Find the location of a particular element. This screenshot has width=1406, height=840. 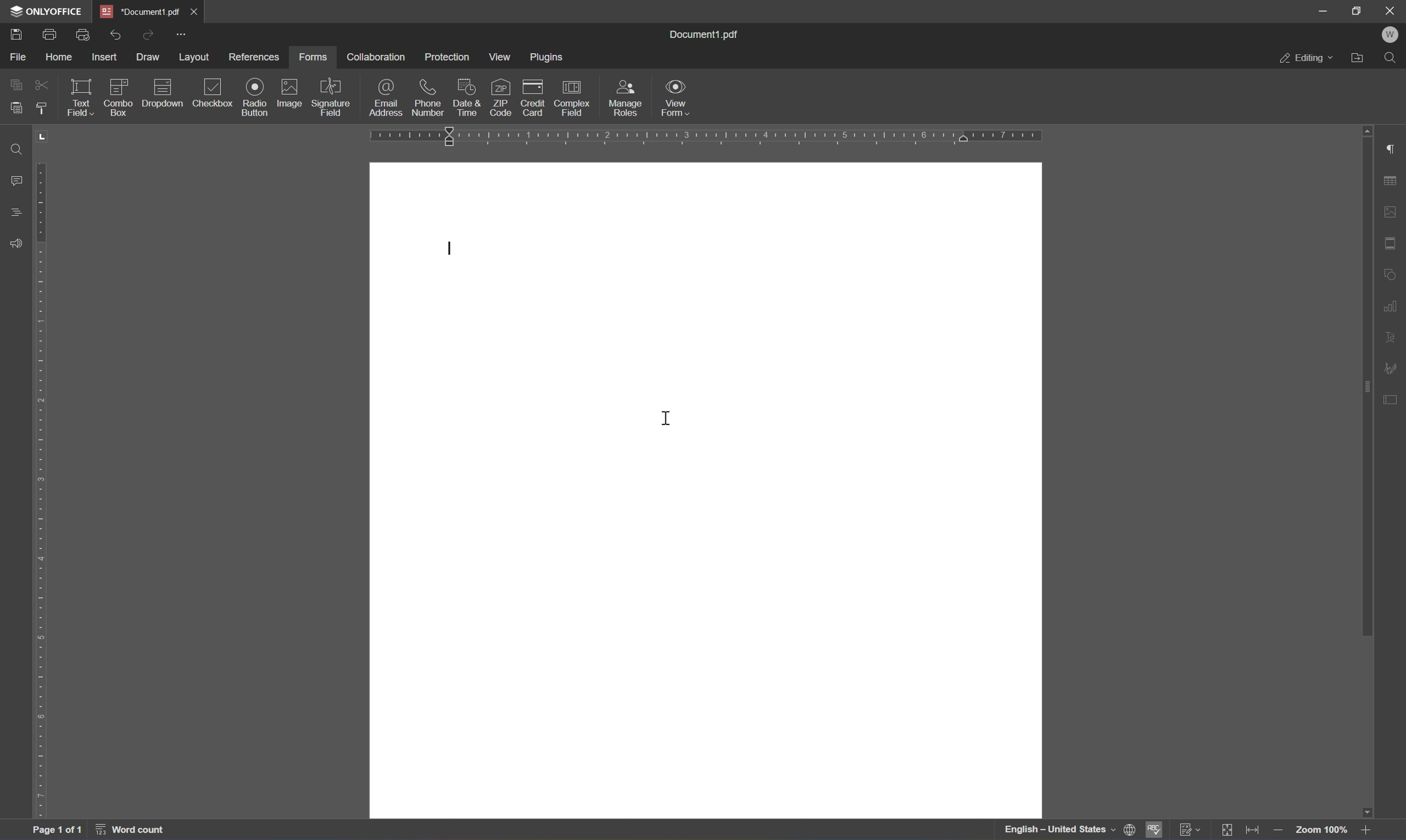

scroll bar is located at coordinates (1367, 387).